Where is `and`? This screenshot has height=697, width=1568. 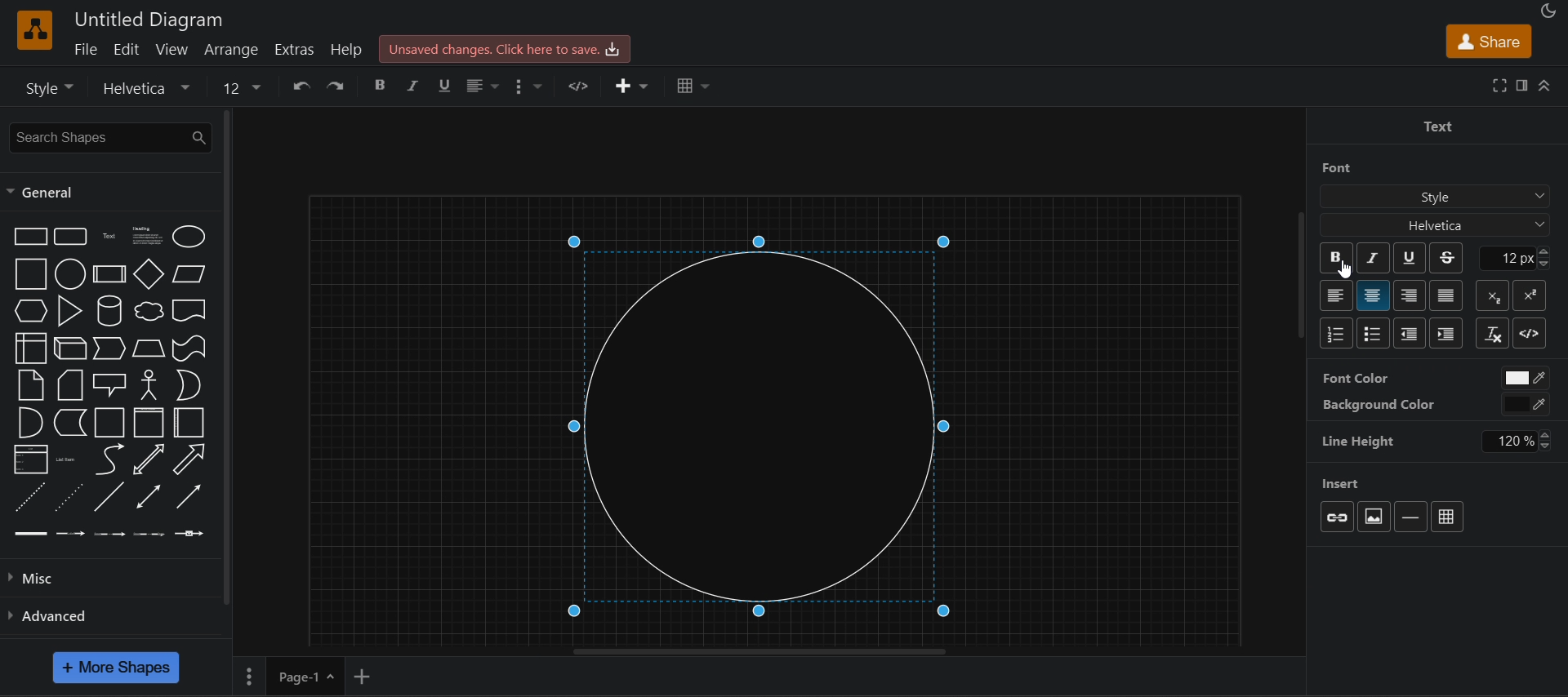 and is located at coordinates (29, 422).